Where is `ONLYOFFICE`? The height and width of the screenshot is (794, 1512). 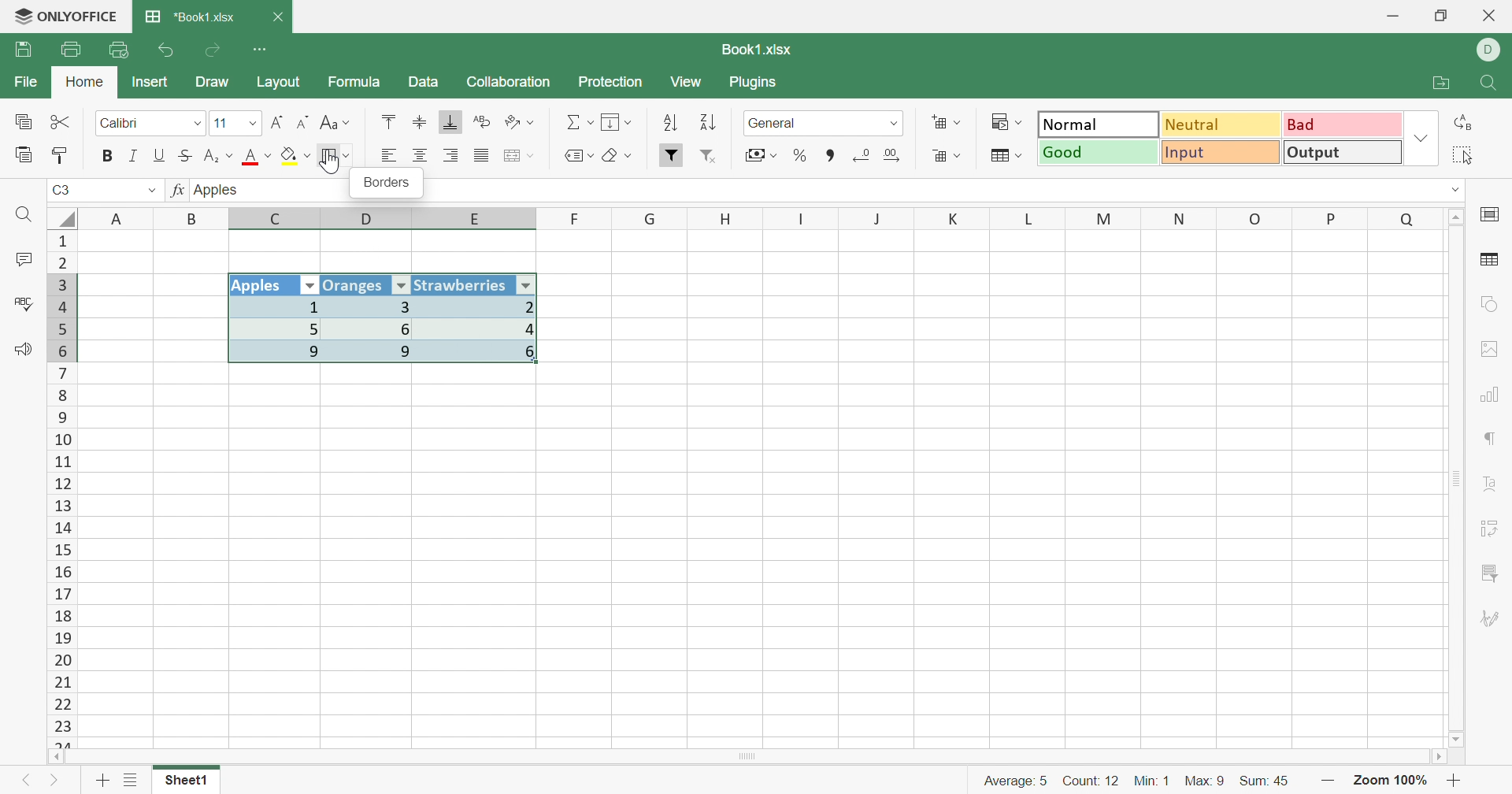 ONLYOFFICE is located at coordinates (65, 17).